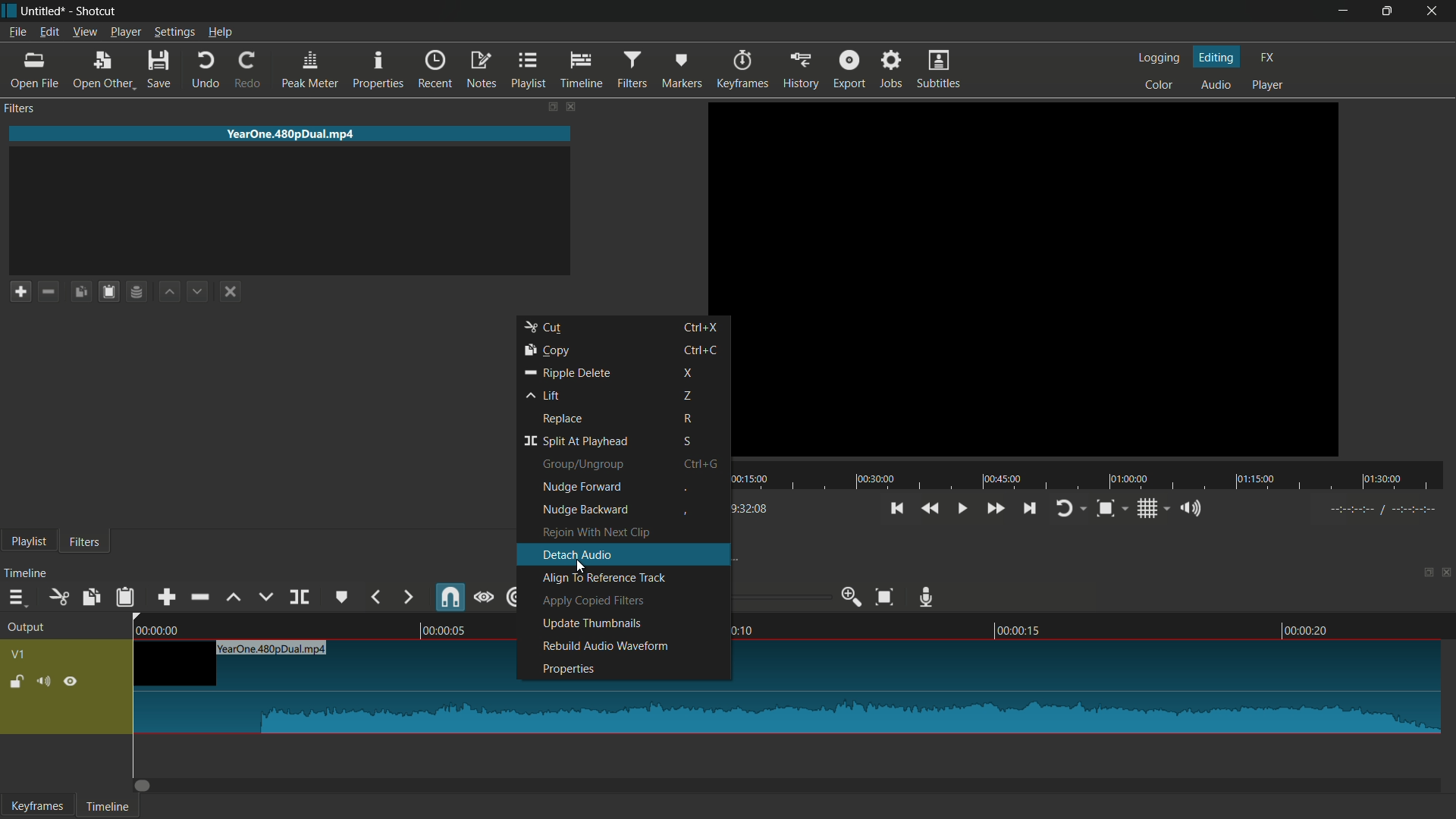  Describe the element at coordinates (574, 444) in the screenshot. I see `split at playhead` at that location.